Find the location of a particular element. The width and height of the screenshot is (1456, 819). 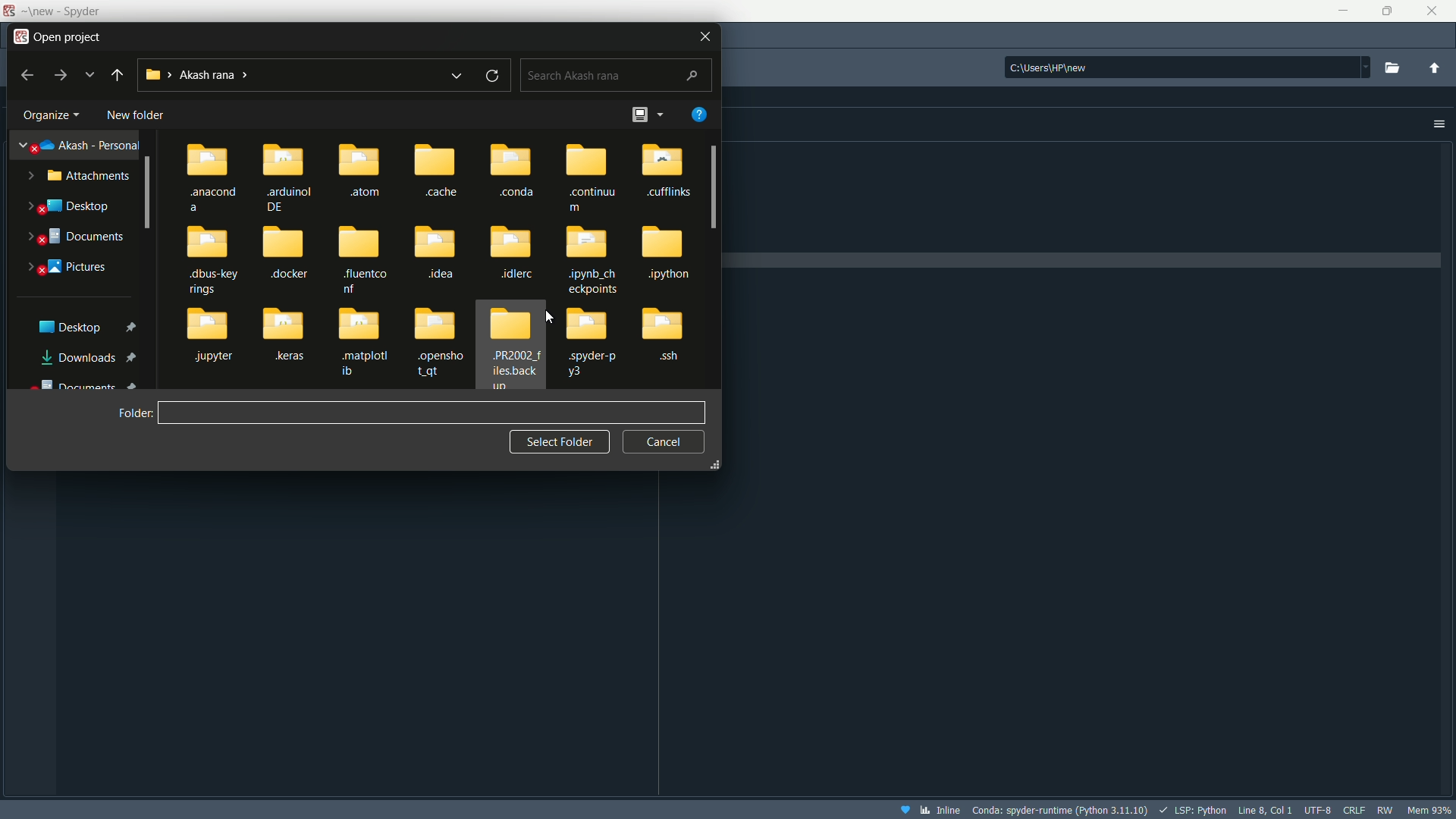

help is located at coordinates (699, 114).